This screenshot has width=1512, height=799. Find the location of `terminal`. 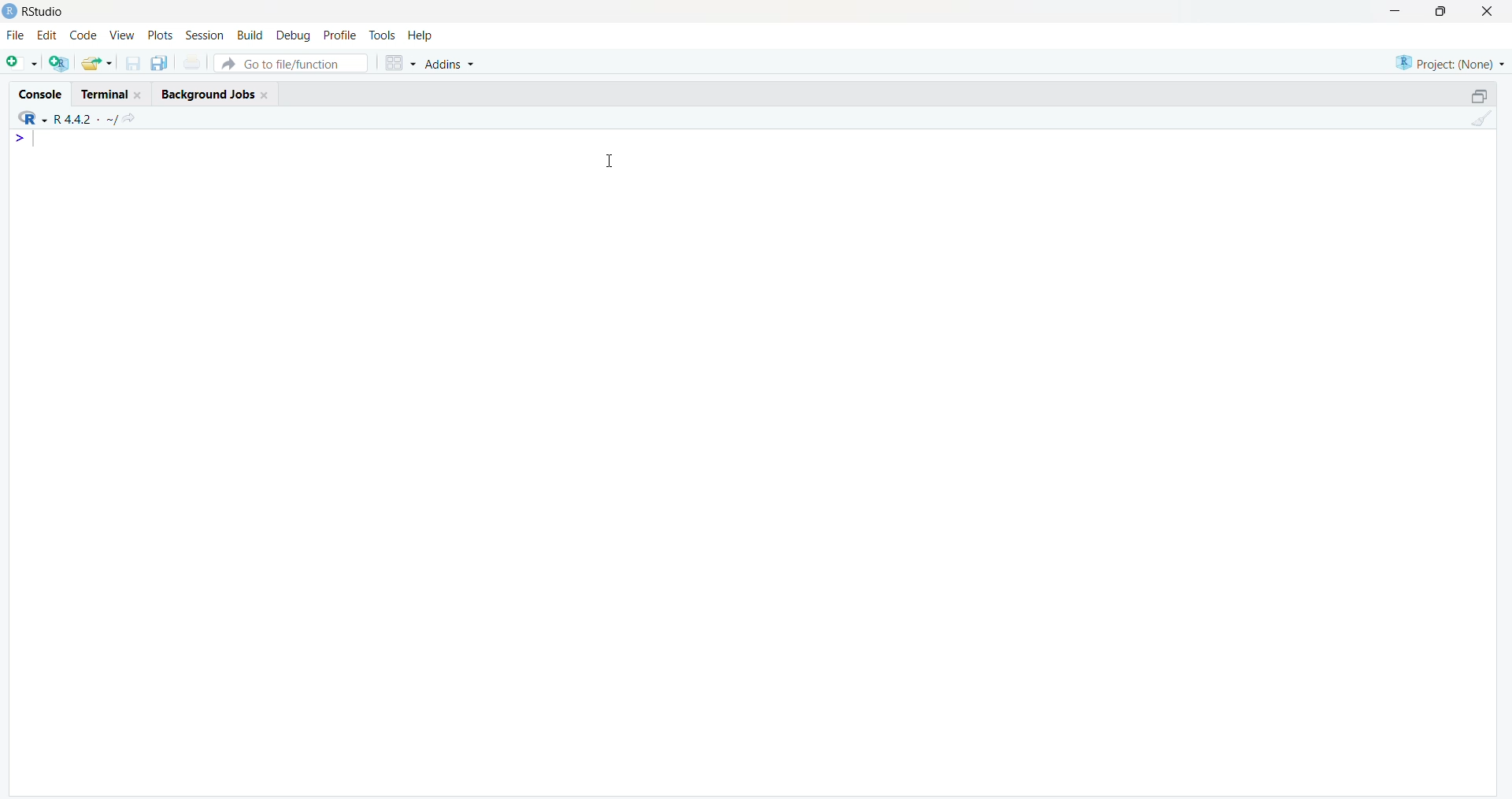

terminal is located at coordinates (106, 95).